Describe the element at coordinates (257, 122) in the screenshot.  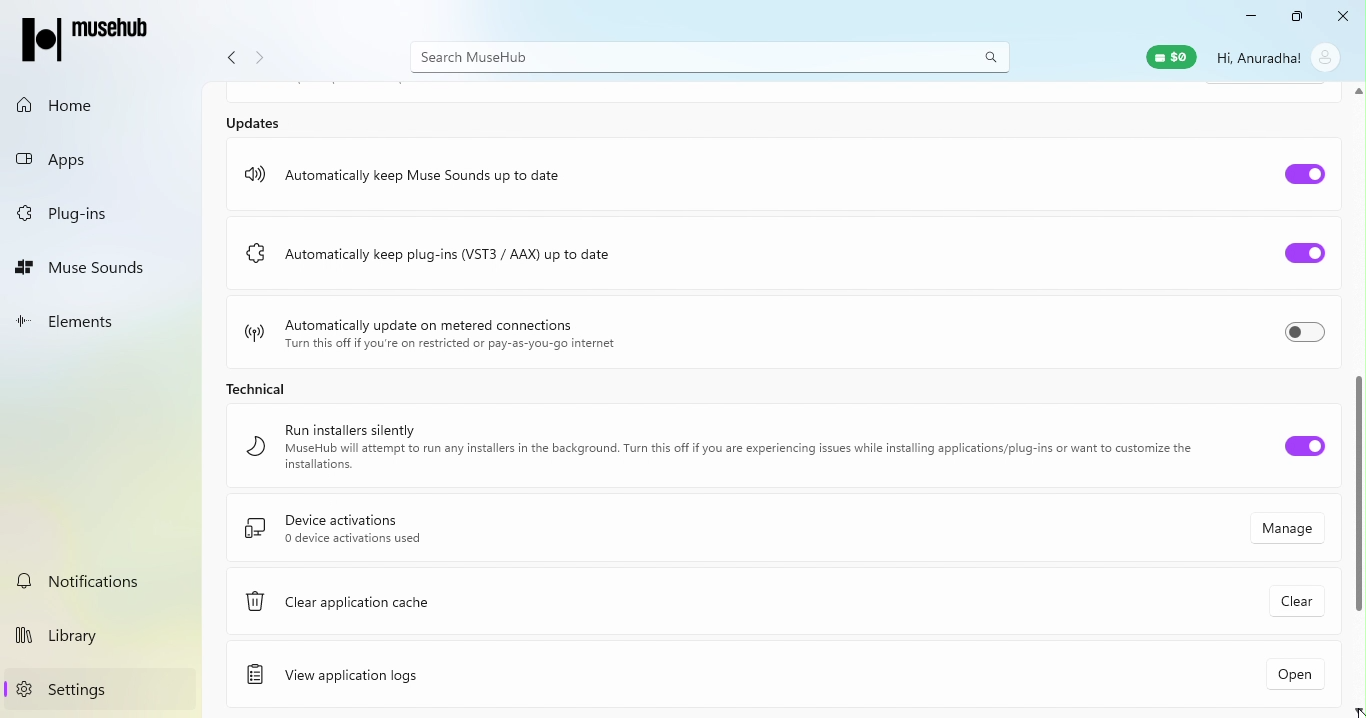
I see `Updates` at that location.